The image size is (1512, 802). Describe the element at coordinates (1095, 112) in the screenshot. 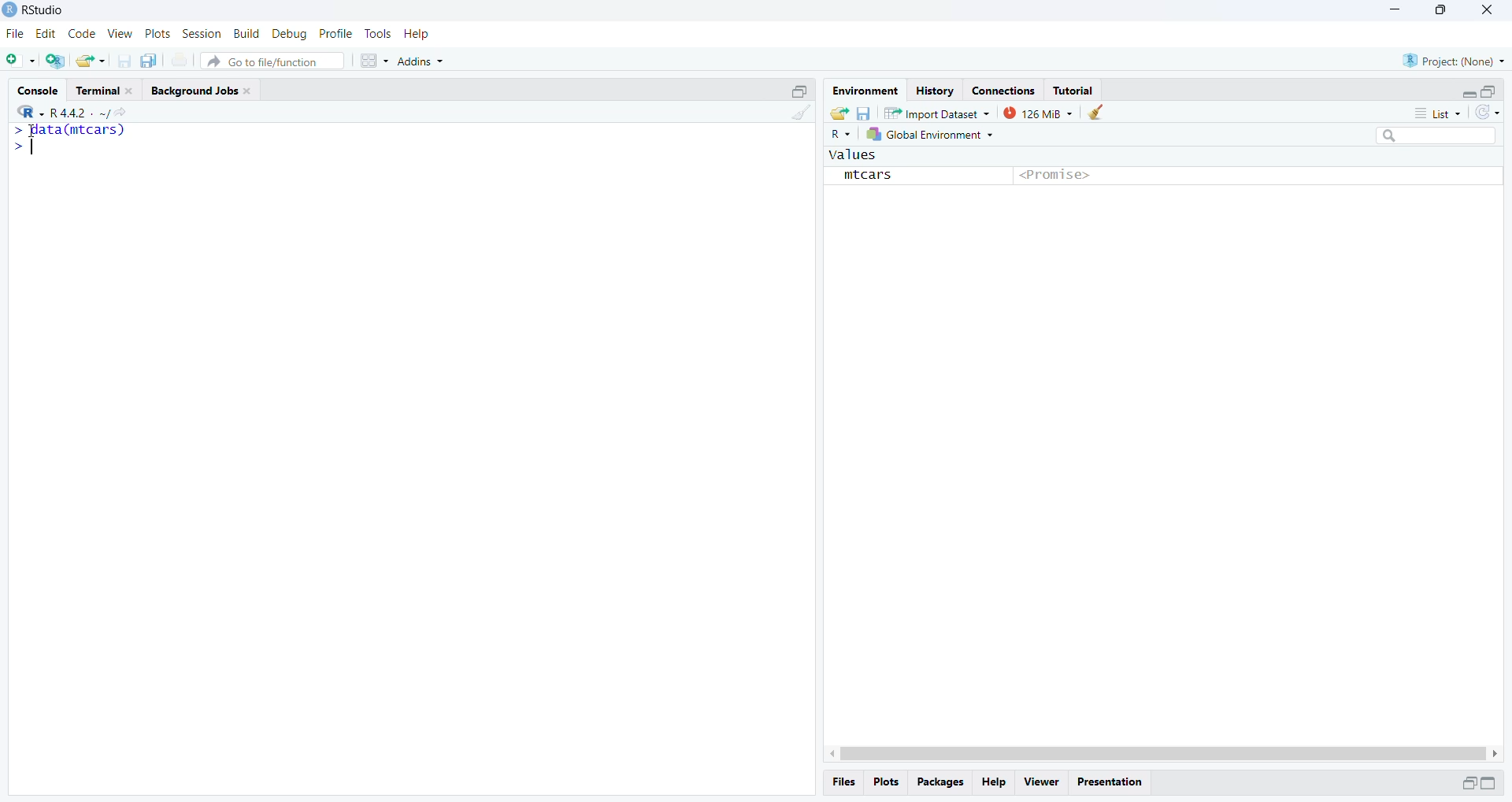

I see `clear objects from workspace` at that location.